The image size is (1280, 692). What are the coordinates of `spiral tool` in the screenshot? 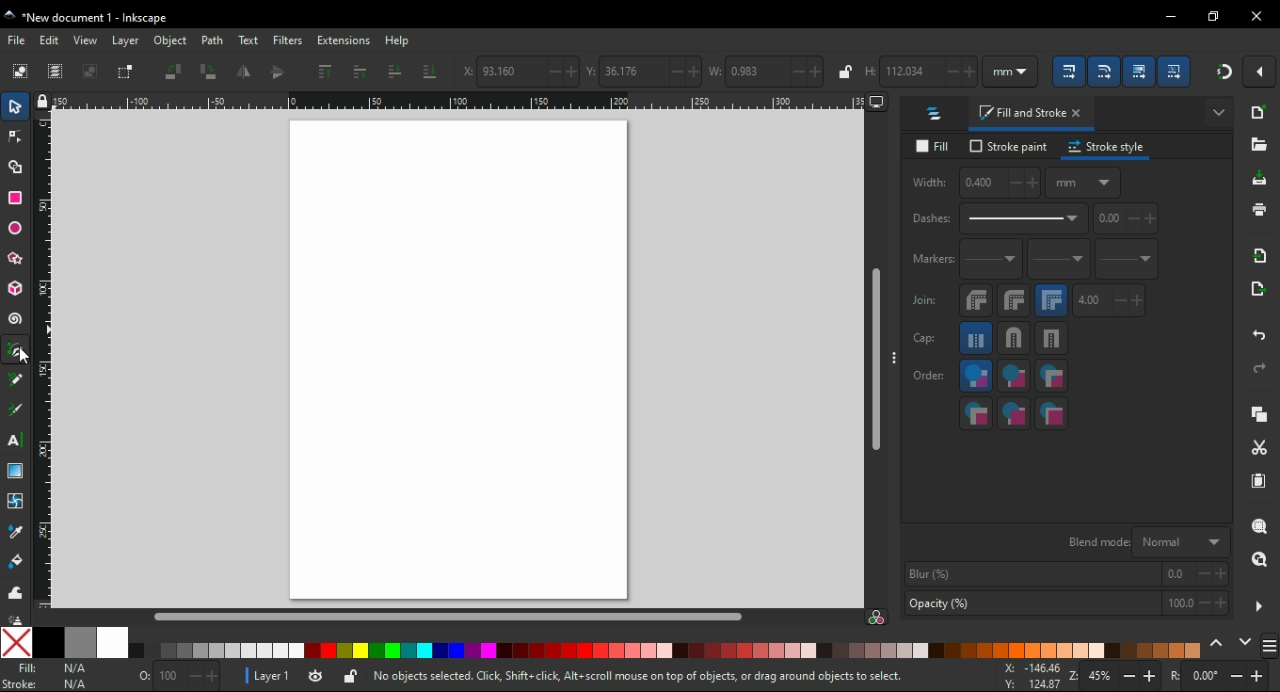 It's located at (17, 319).